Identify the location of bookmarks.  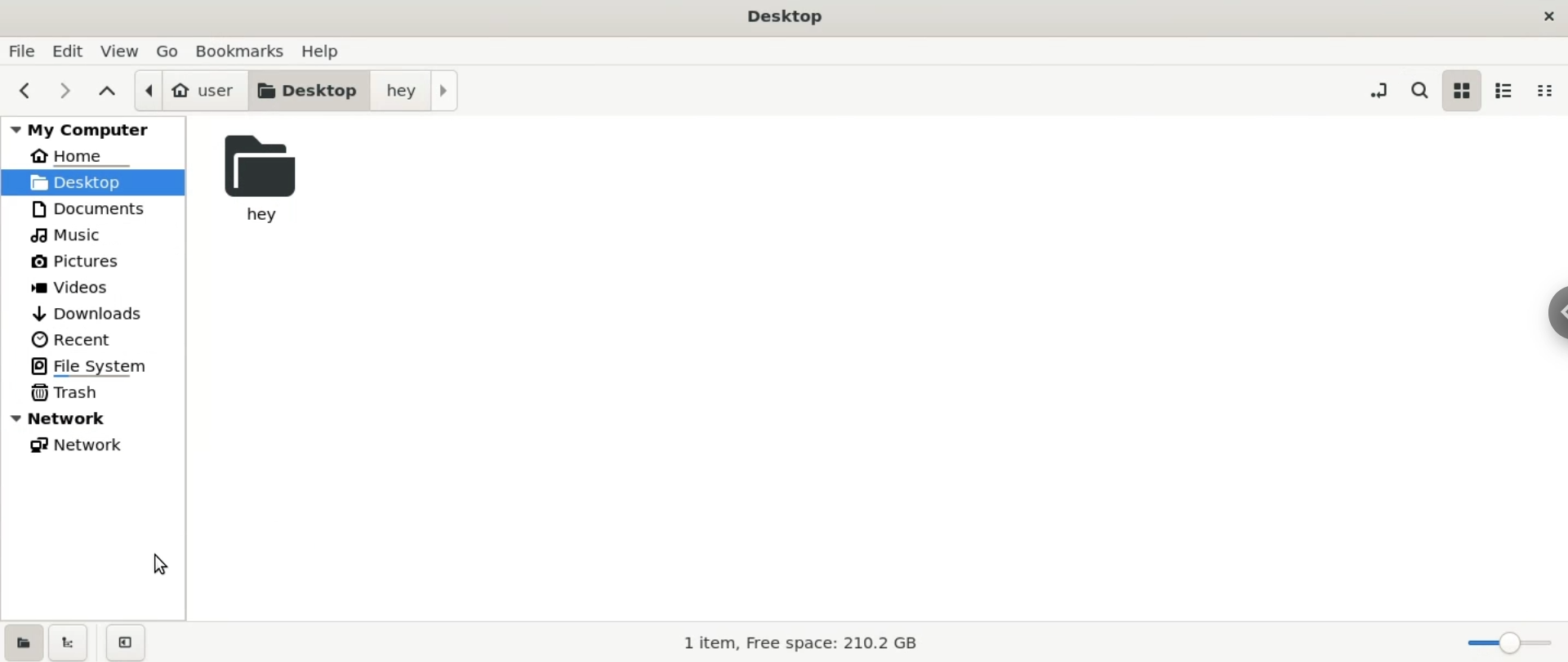
(241, 52).